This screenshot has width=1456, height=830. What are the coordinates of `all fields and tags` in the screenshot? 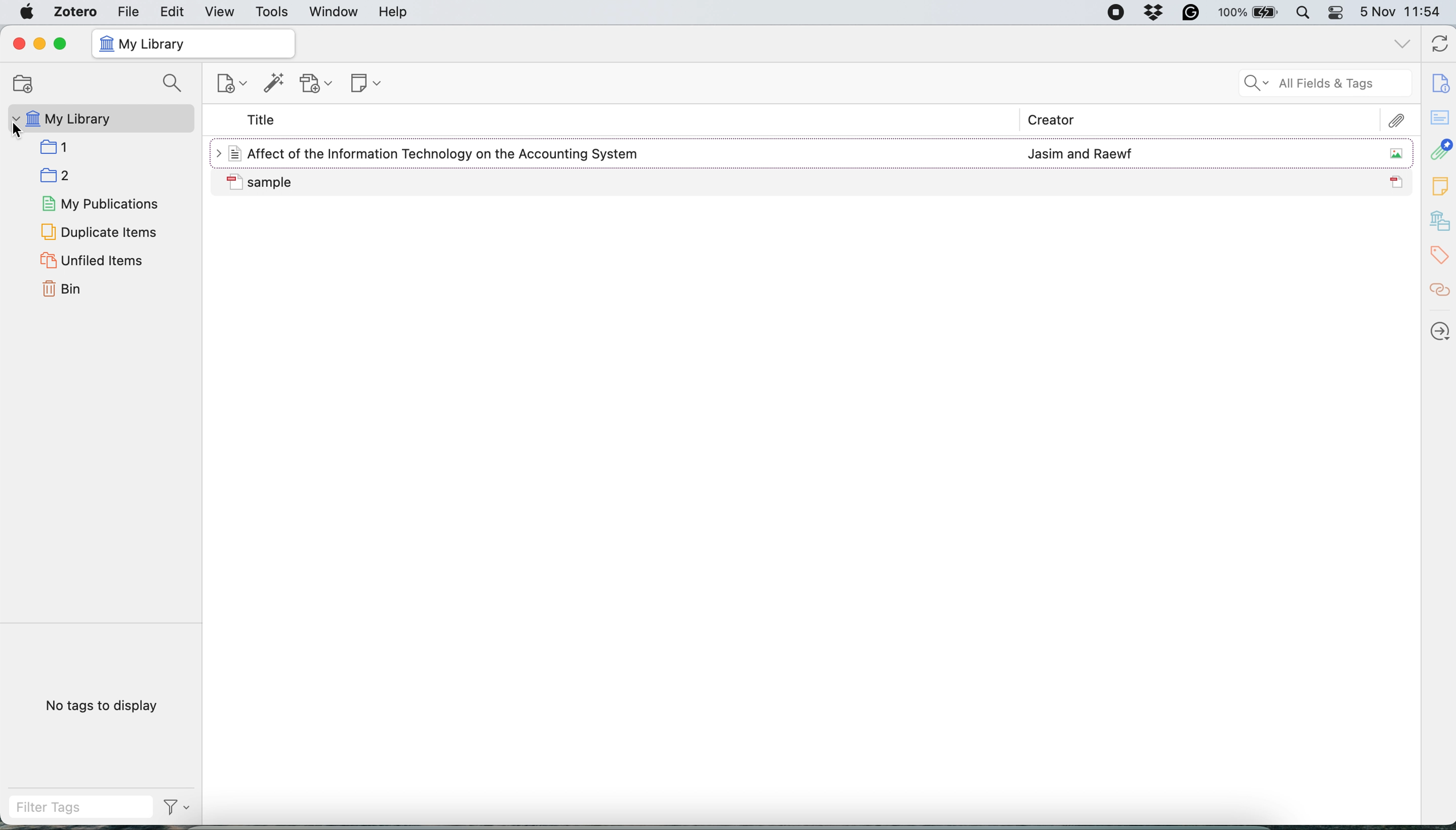 It's located at (1321, 85).